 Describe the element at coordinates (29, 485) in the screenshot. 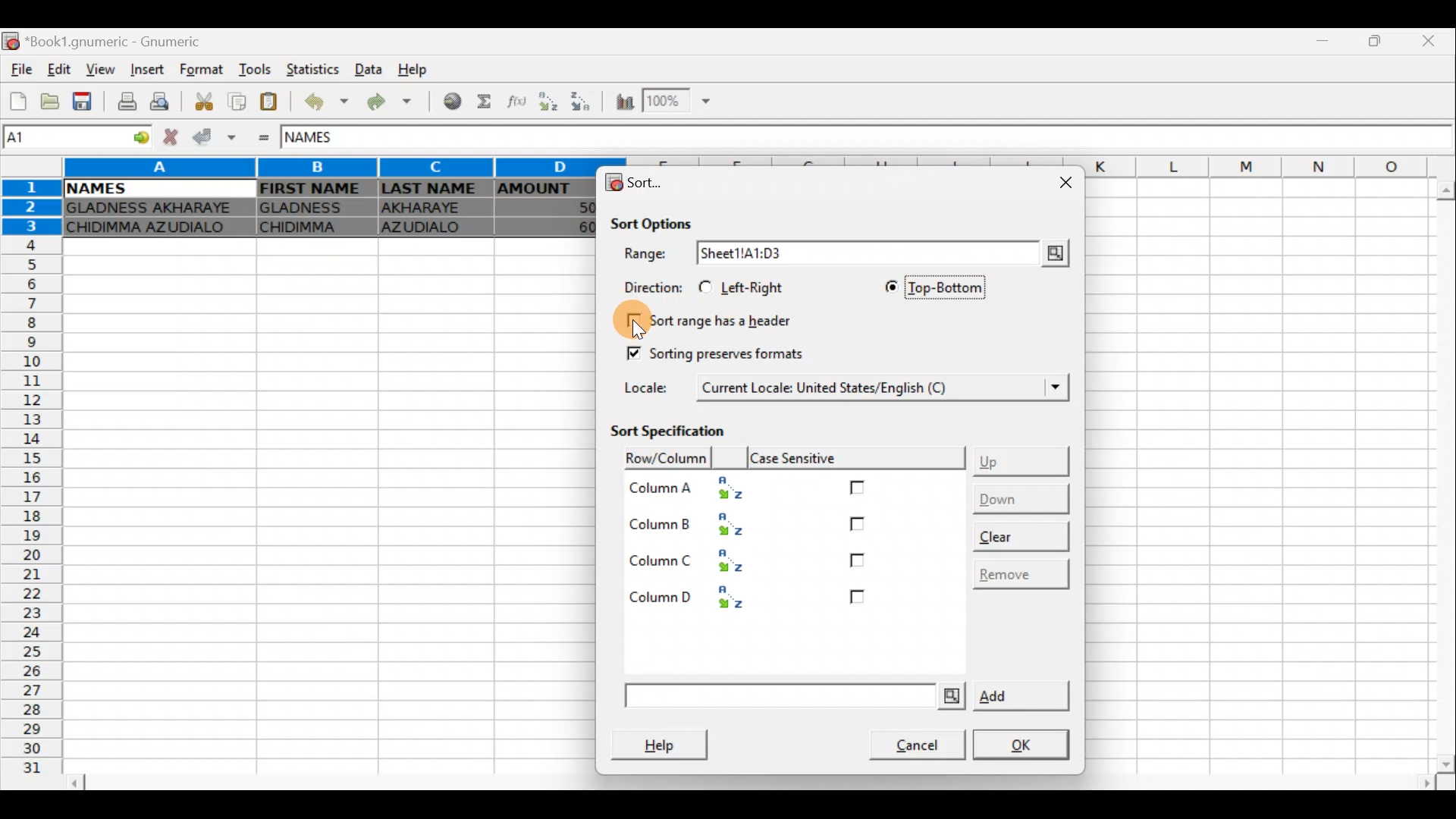

I see `Rows` at that location.